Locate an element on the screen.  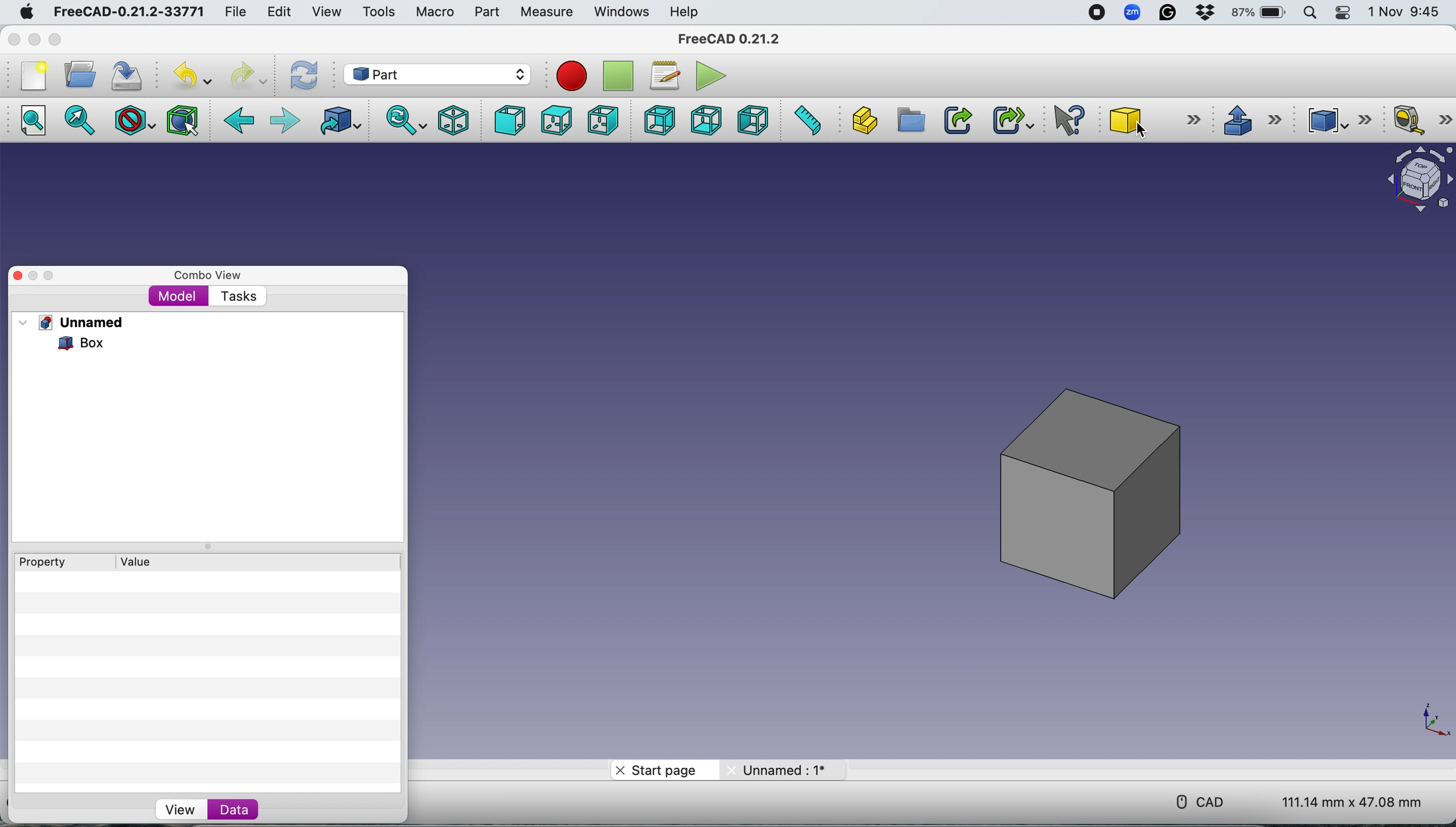
Cursor is located at coordinates (1144, 132).